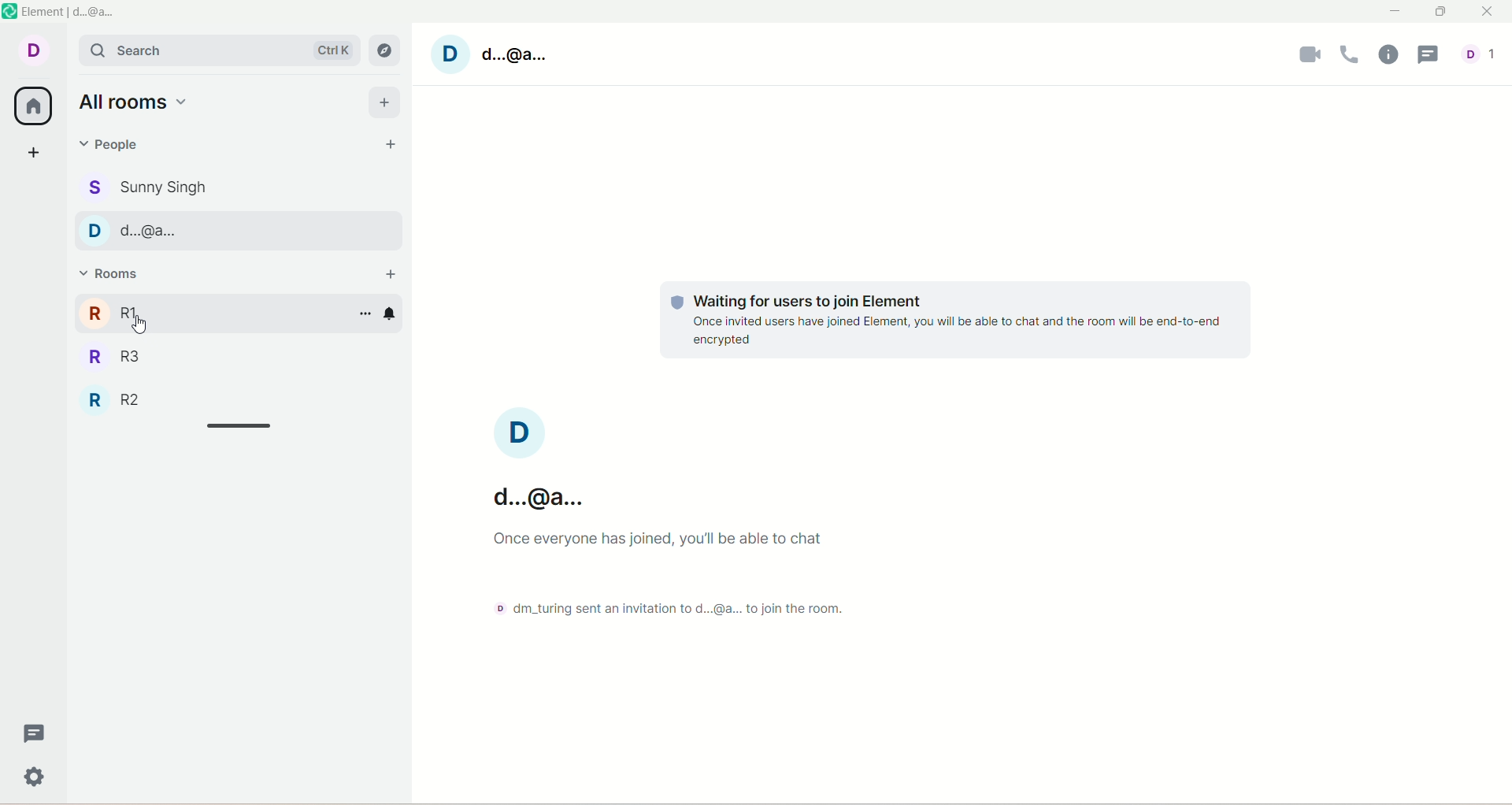  I want to click on create a space, so click(35, 151).